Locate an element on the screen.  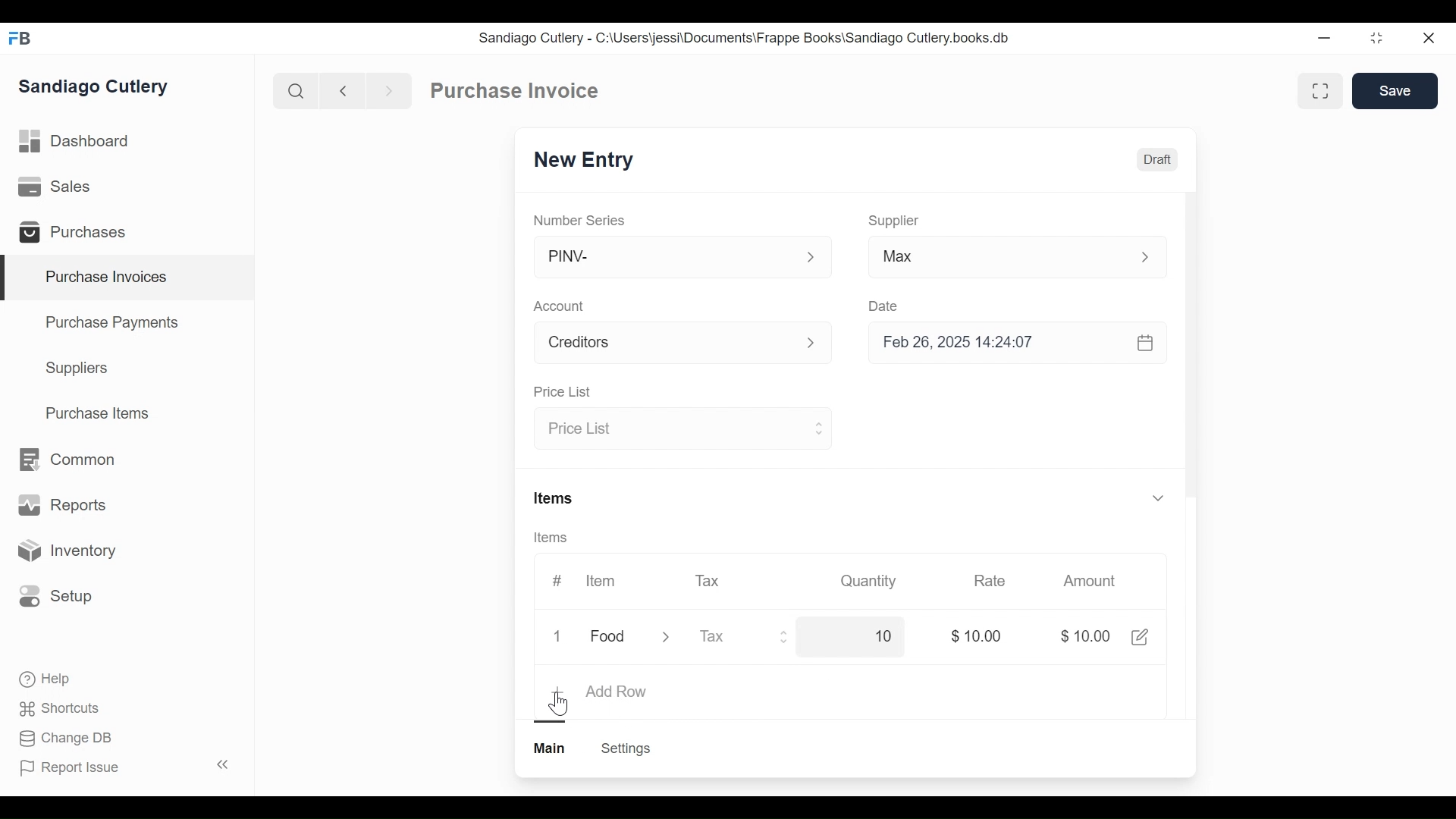
Sales is located at coordinates (58, 187).